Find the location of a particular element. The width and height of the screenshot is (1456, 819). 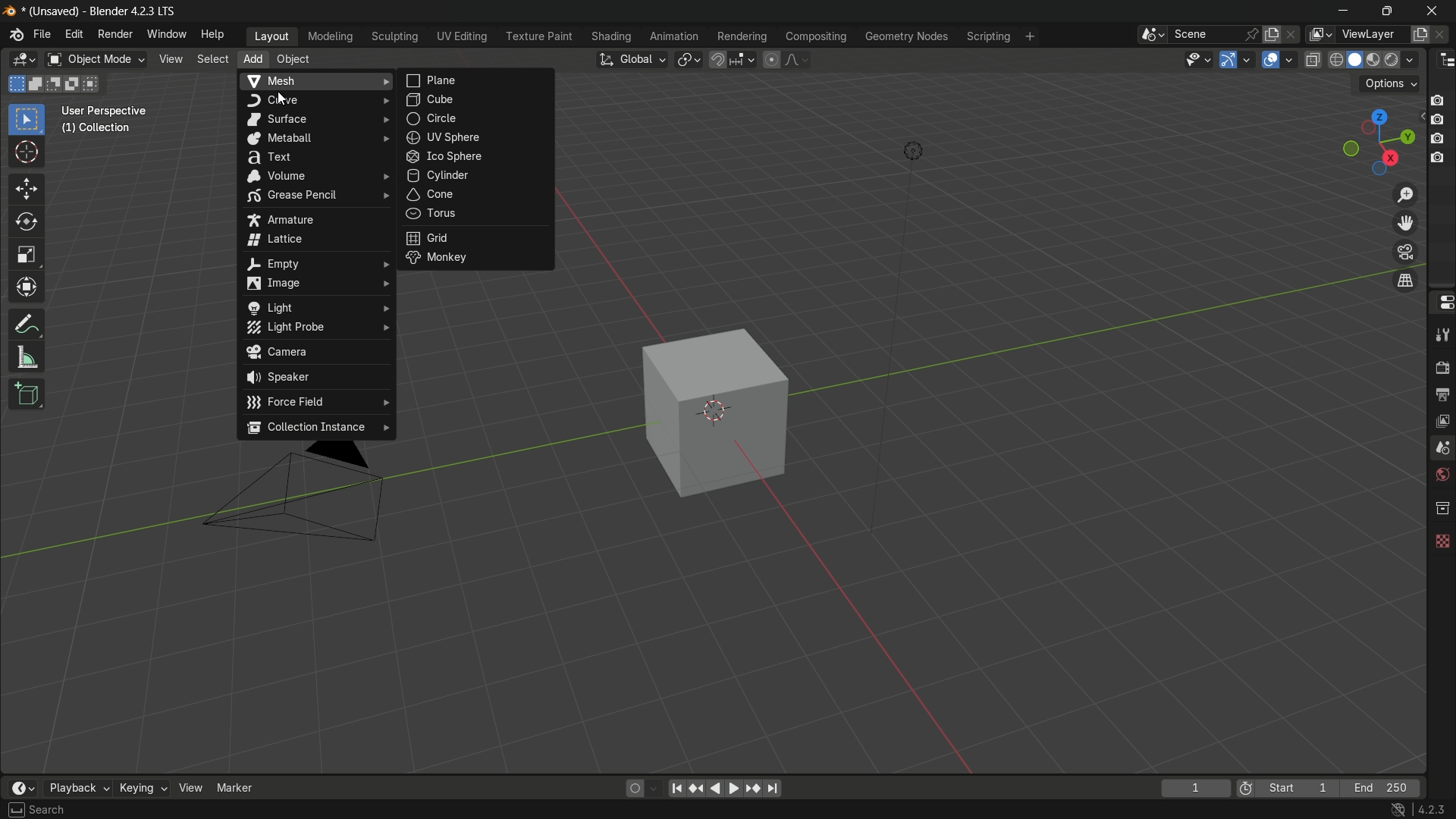

edit menu is located at coordinates (74, 35).